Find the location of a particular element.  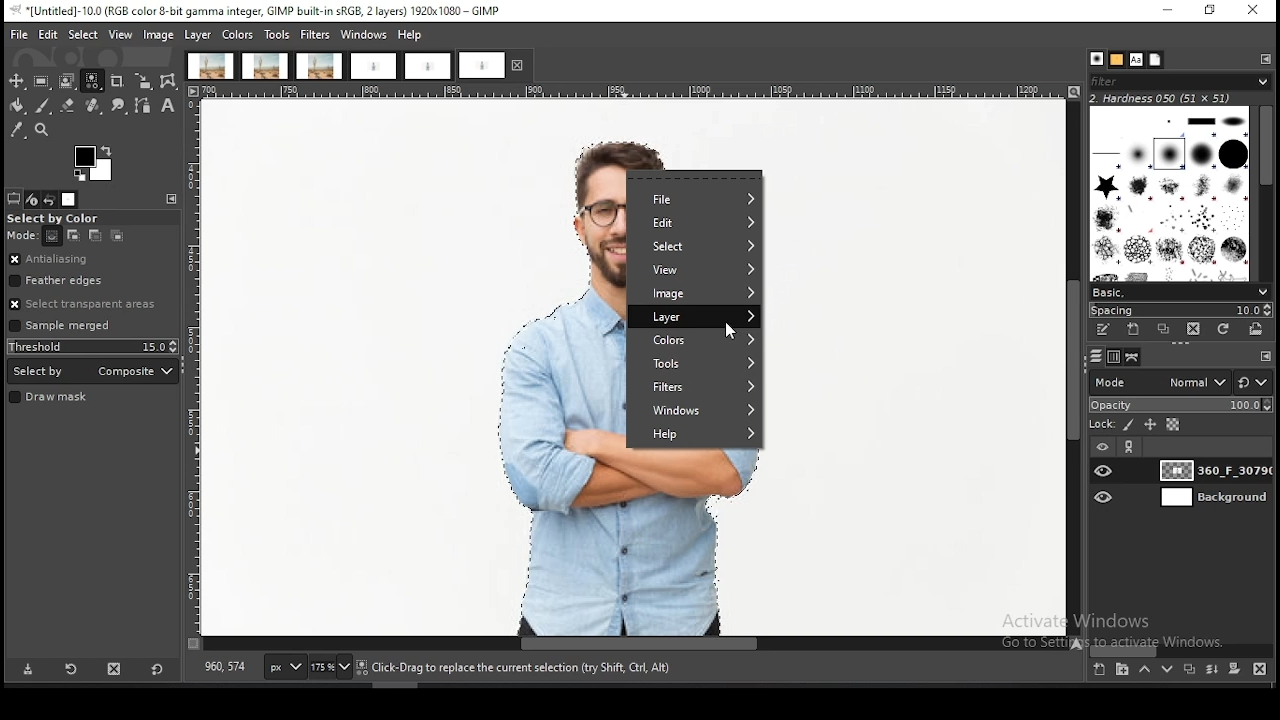

merge layers is located at coordinates (1212, 668).